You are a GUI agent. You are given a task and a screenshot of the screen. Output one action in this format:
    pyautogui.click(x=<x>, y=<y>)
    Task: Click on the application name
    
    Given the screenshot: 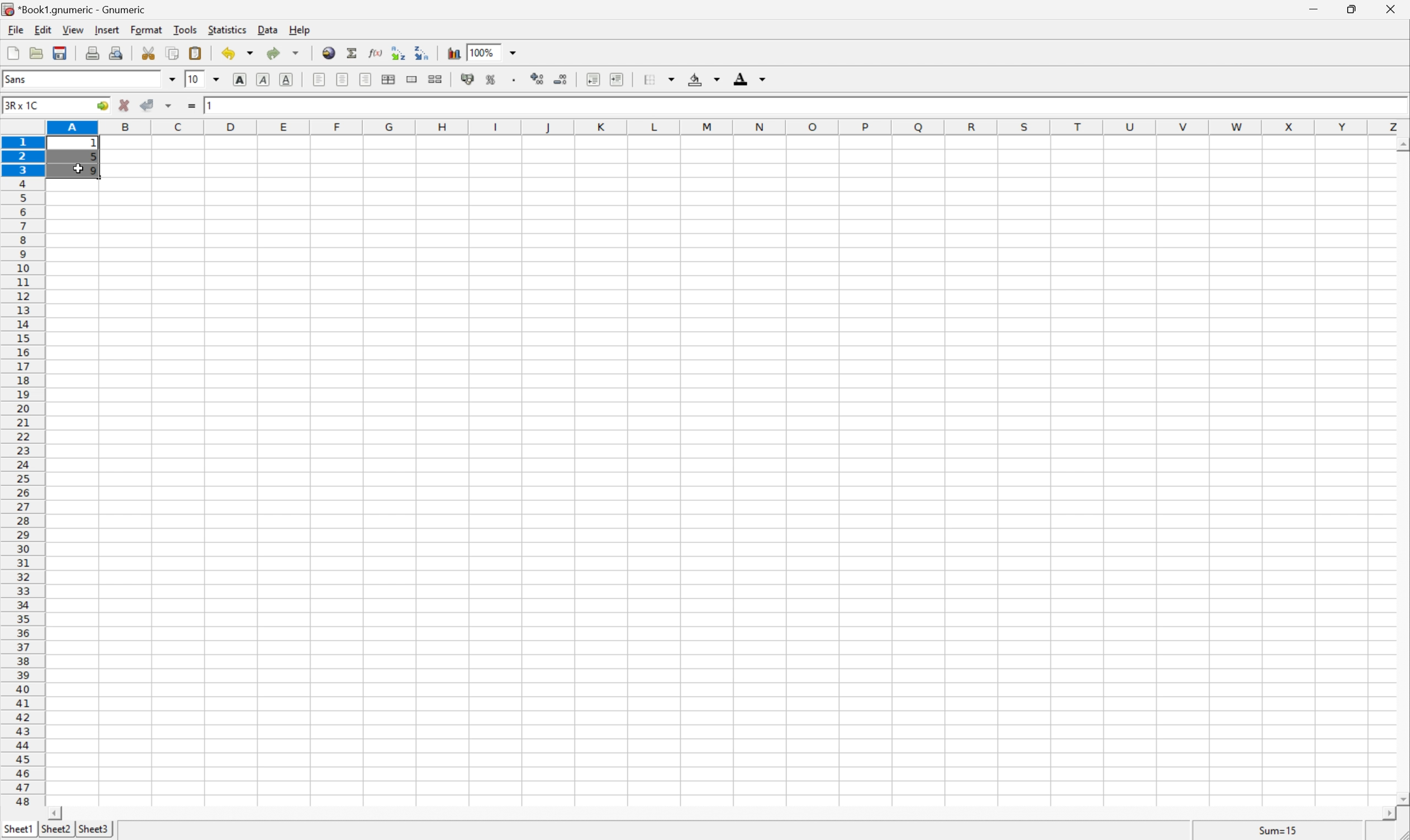 What is the action you would take?
    pyautogui.click(x=78, y=8)
    